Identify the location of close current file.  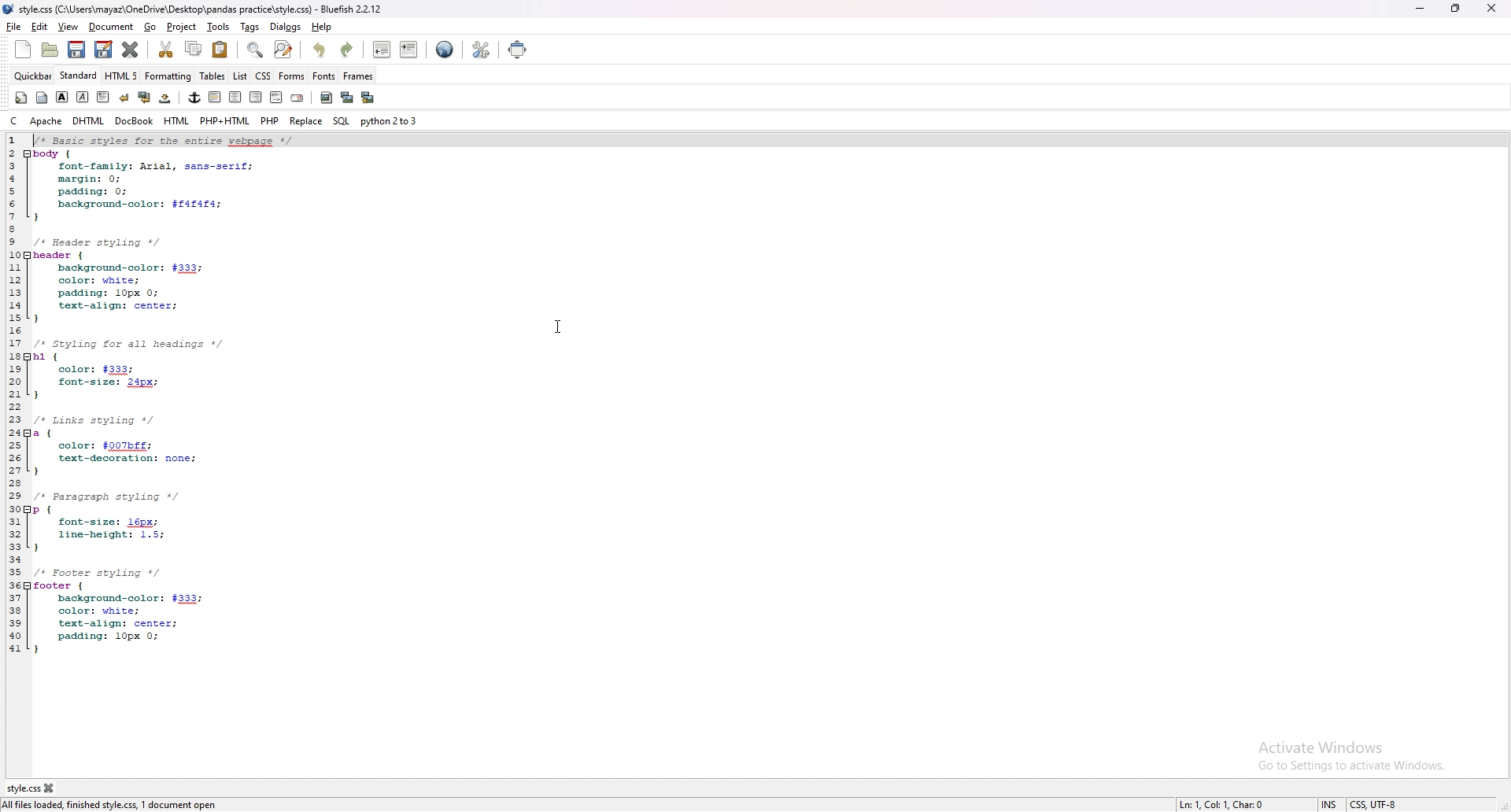
(131, 49).